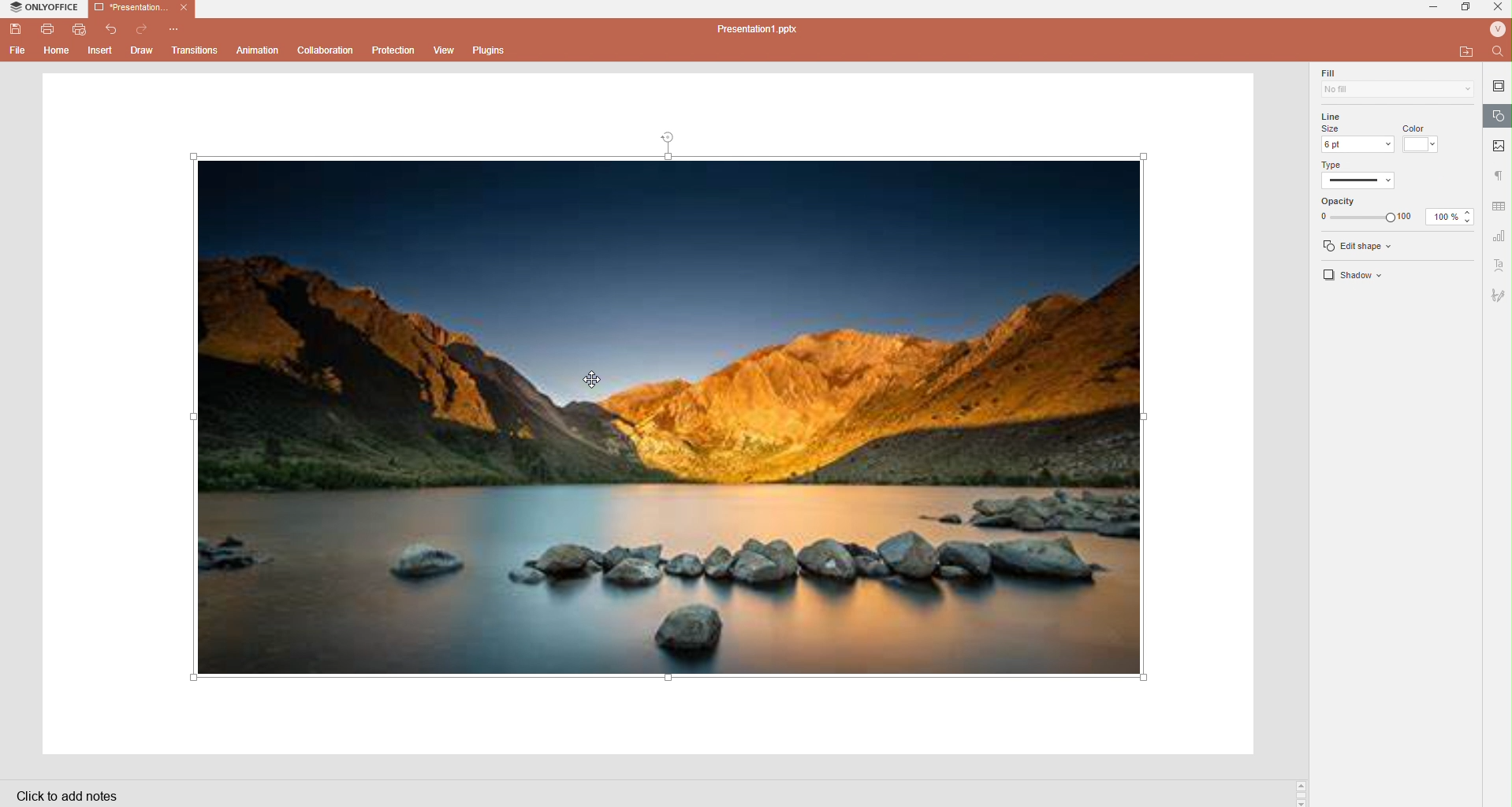  I want to click on 100%, so click(1441, 217).